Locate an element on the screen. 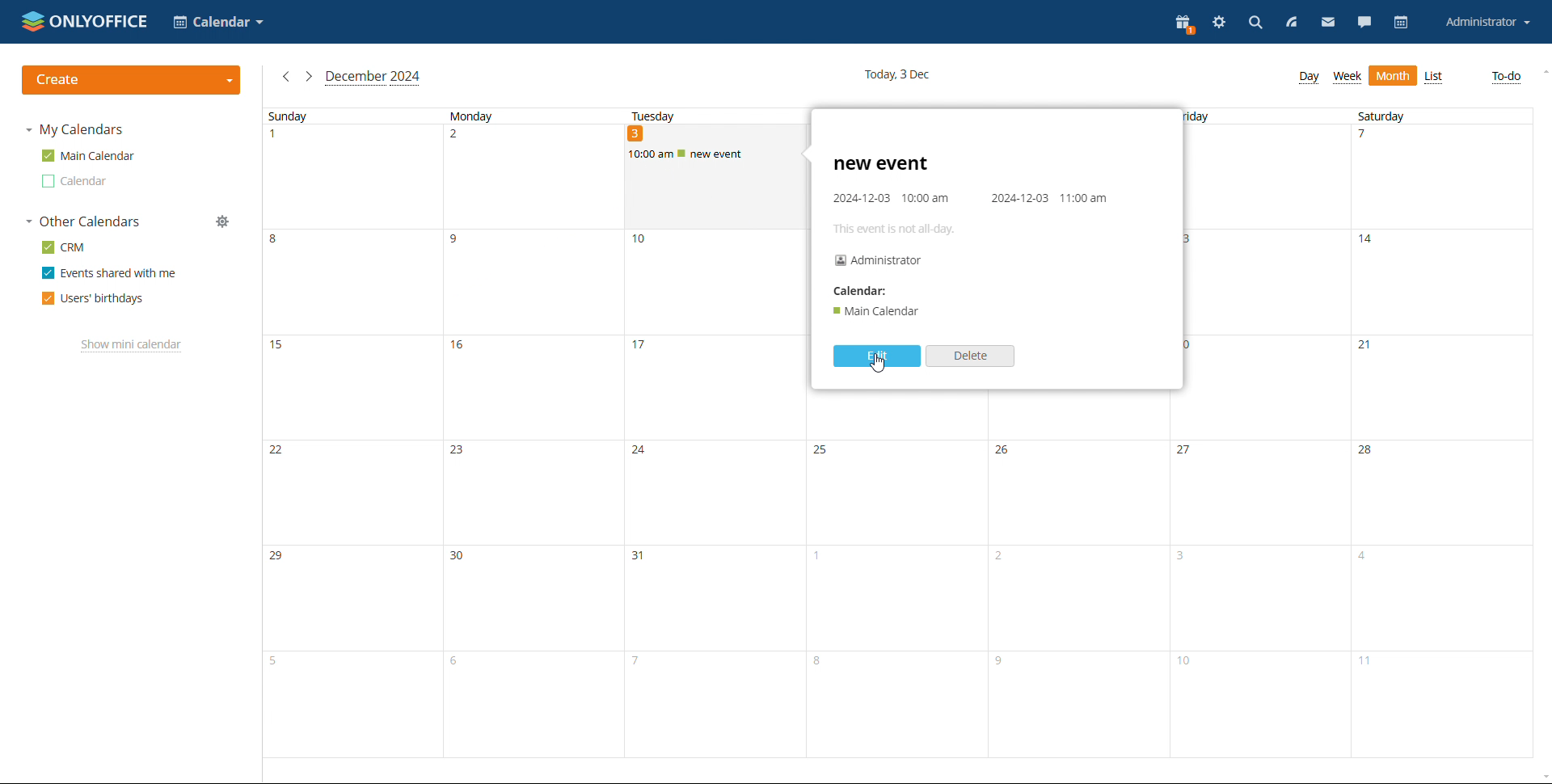 The image size is (1552, 784). Friday is located at coordinates (1261, 116).